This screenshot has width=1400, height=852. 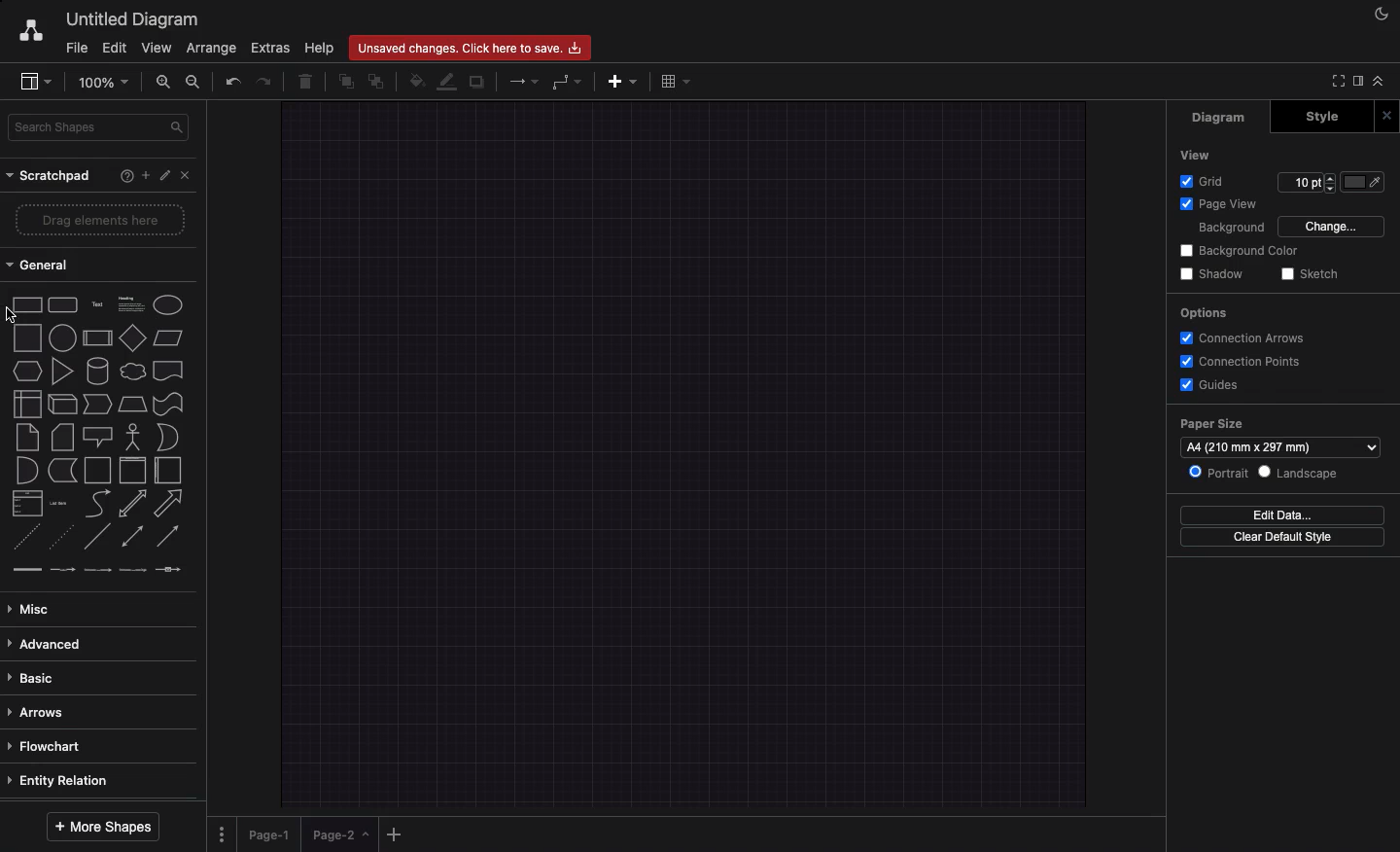 What do you see at coordinates (419, 79) in the screenshot?
I see `Fill color` at bounding box center [419, 79].